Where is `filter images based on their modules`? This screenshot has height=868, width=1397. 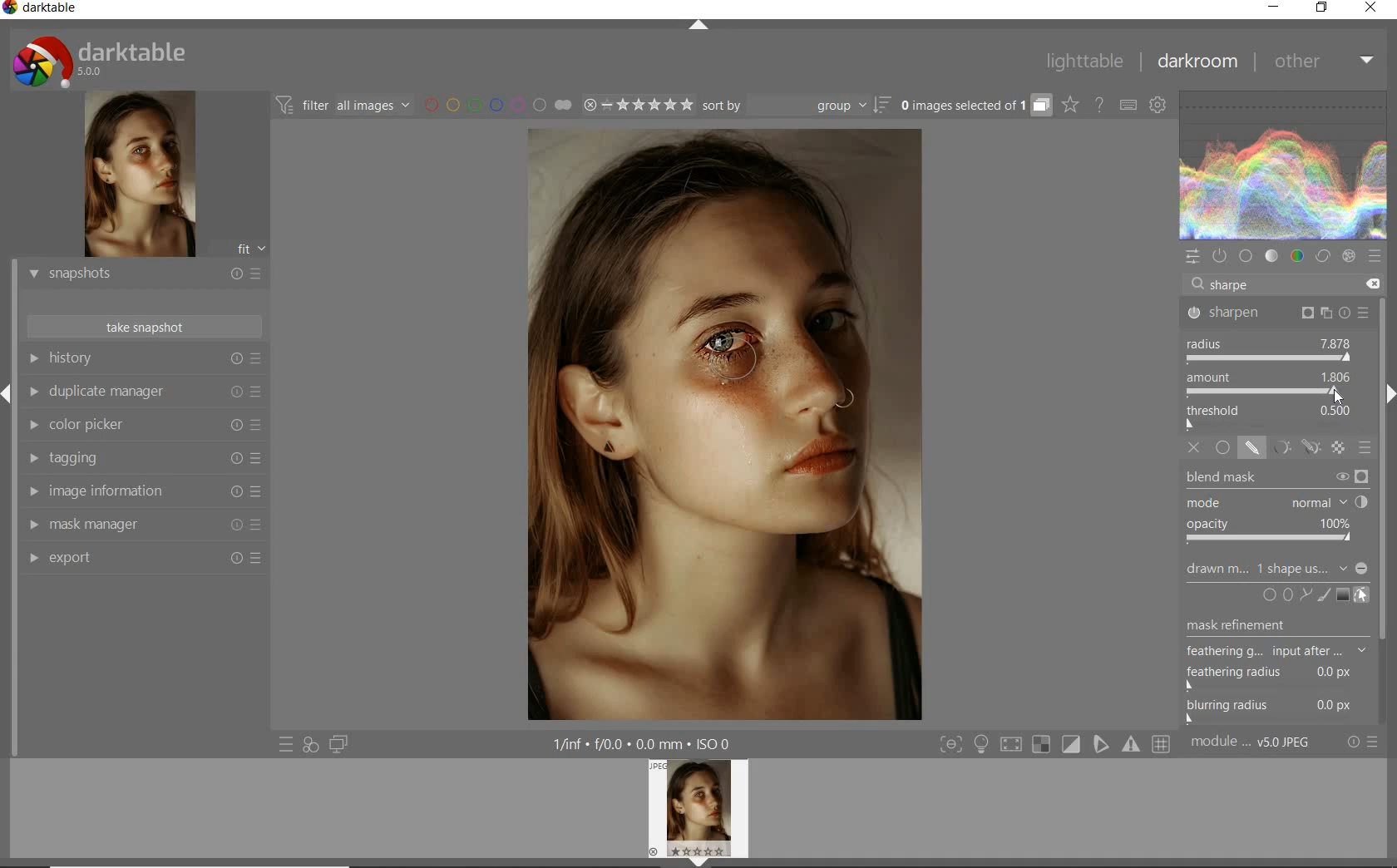
filter images based on their modules is located at coordinates (341, 104).